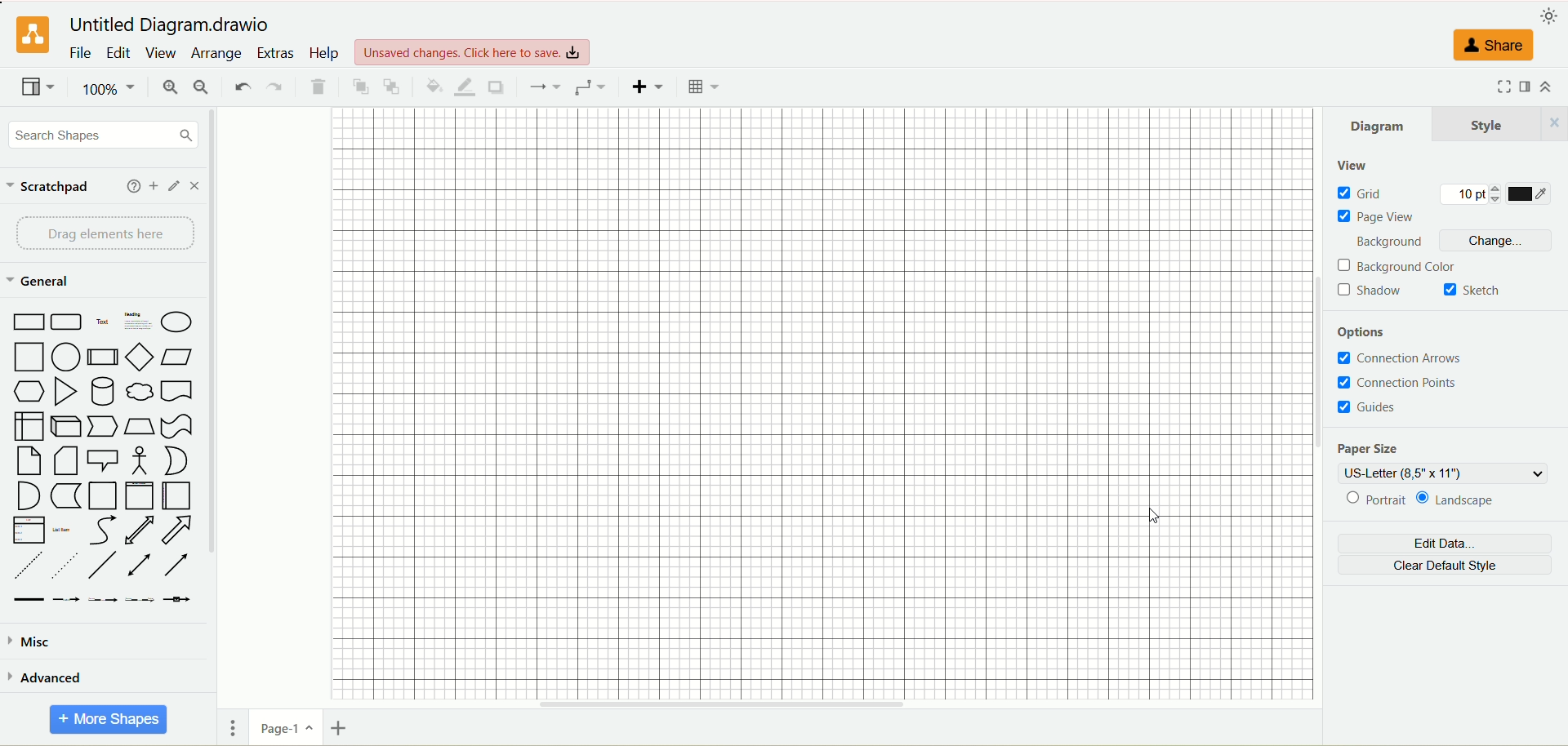  What do you see at coordinates (168, 24) in the screenshot?
I see `title - Untitled Diagram.drawio` at bounding box center [168, 24].